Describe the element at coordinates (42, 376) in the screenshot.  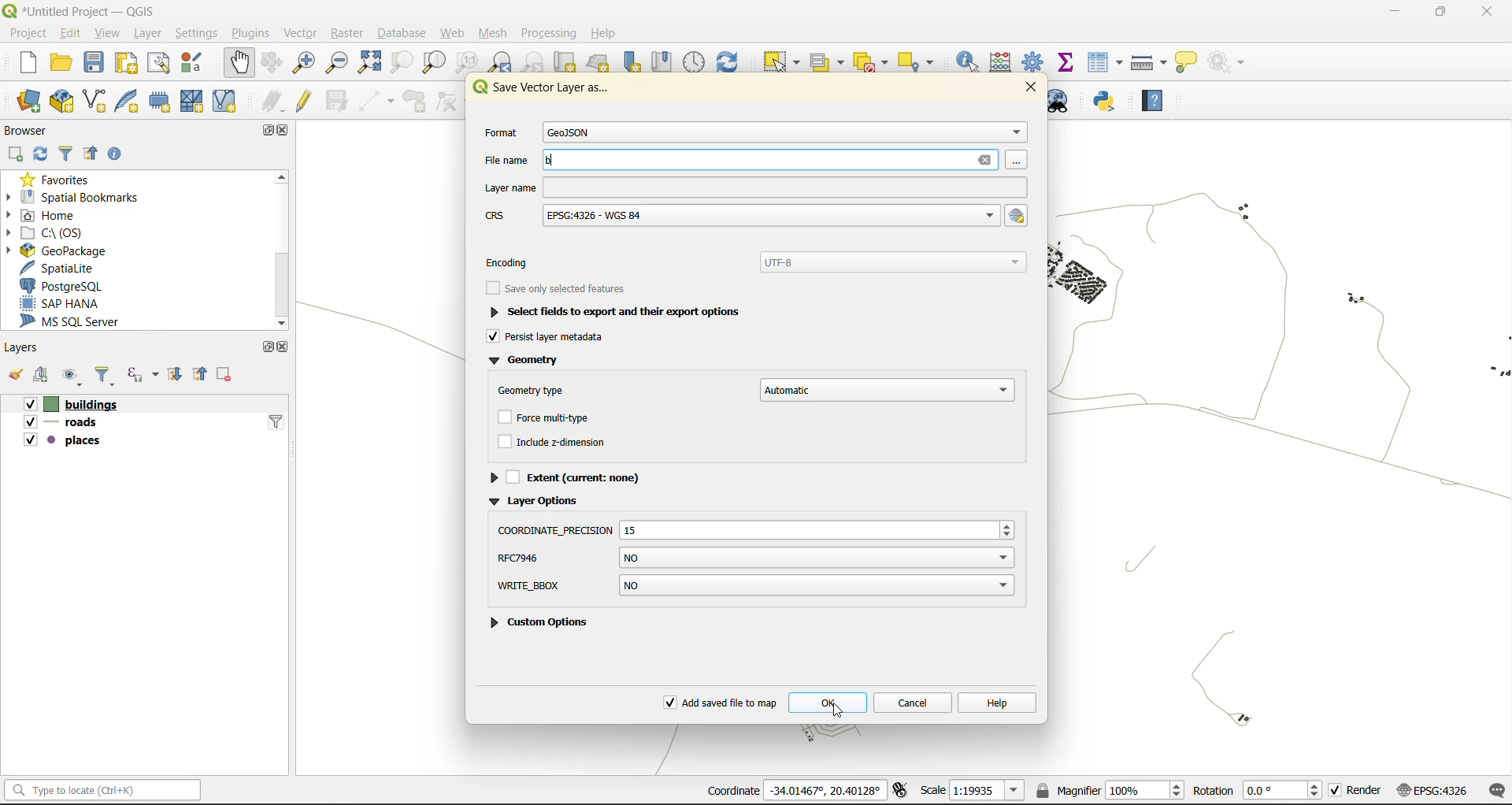
I see `add` at that location.